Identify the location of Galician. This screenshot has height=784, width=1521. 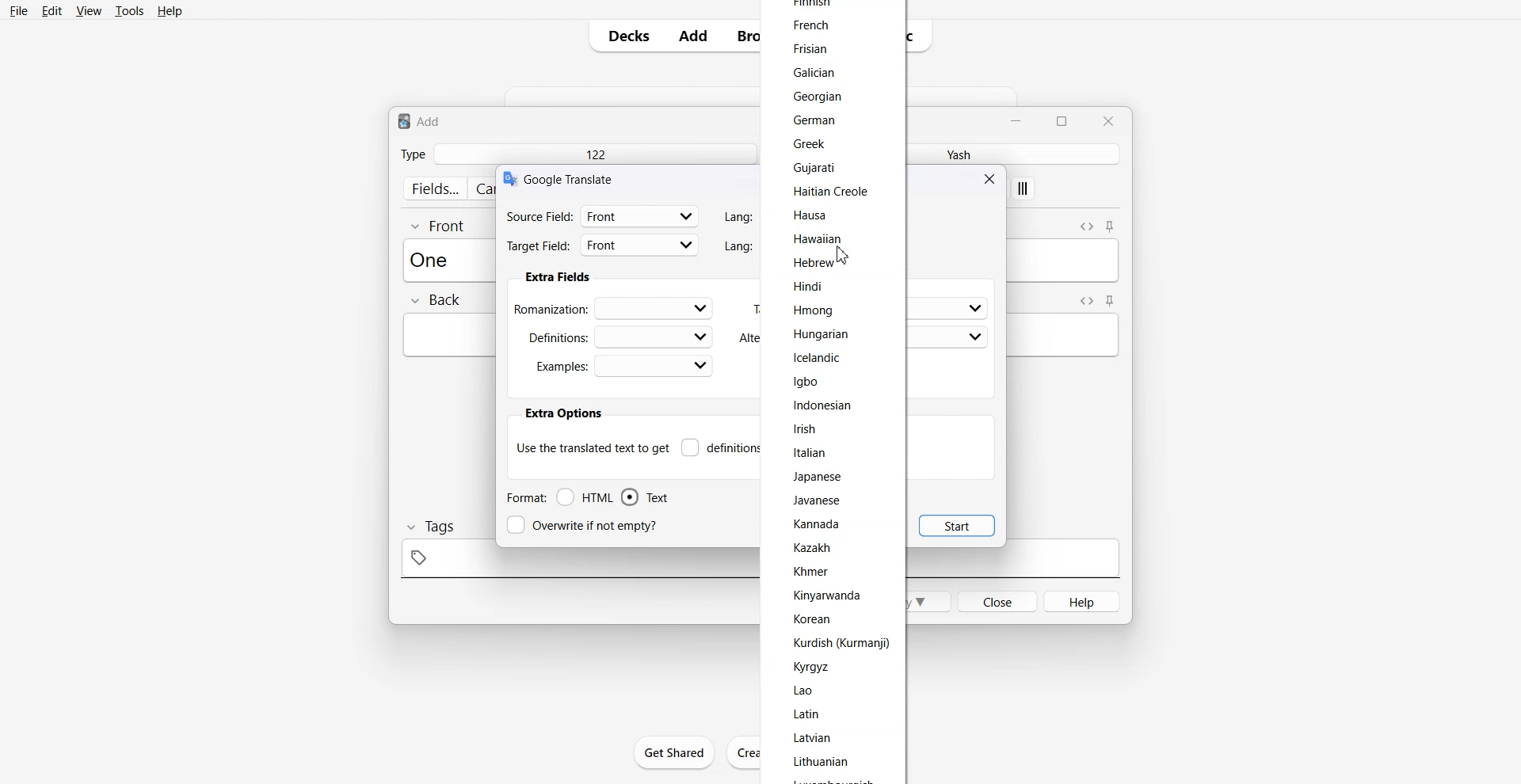
(819, 71).